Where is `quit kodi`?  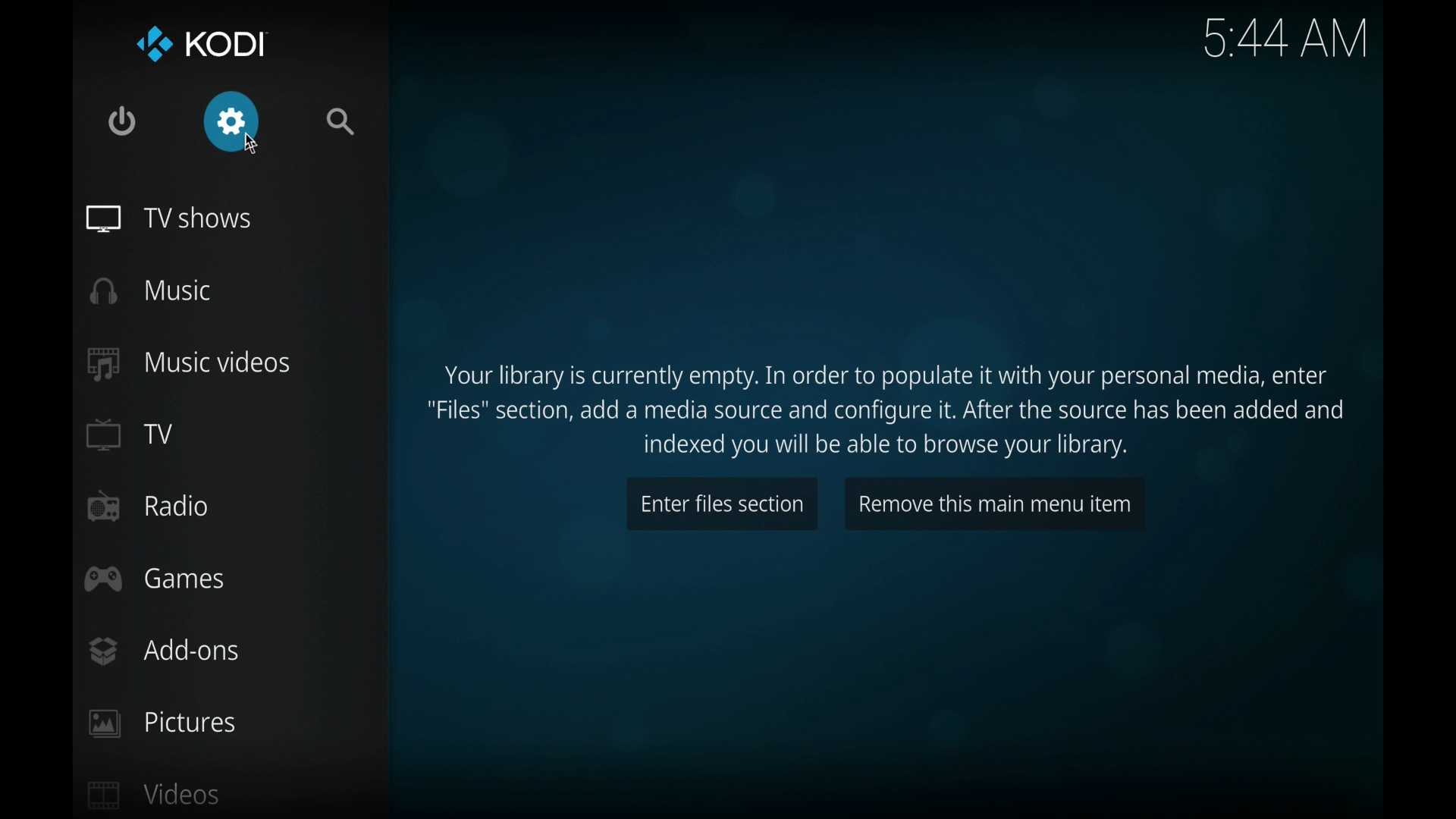
quit kodi is located at coordinates (122, 121).